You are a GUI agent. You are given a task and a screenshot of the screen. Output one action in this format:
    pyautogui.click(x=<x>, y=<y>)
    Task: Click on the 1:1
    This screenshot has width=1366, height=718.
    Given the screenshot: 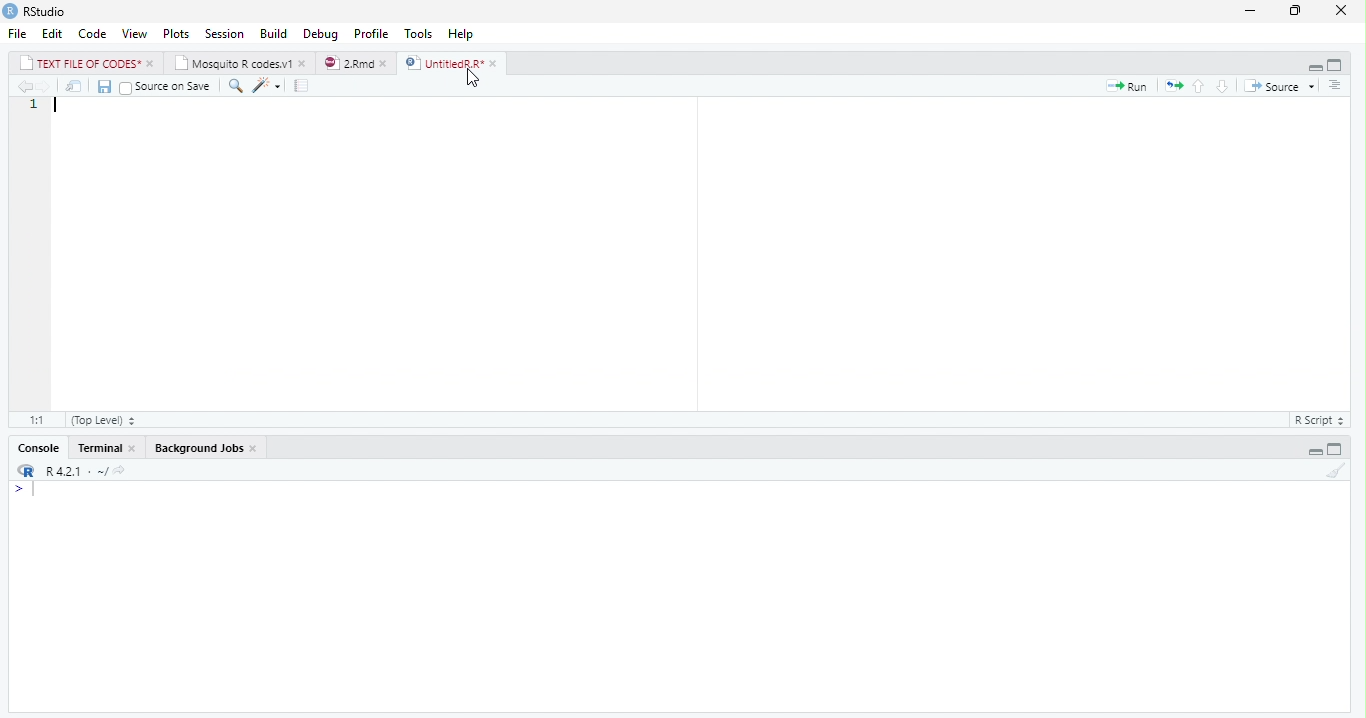 What is the action you would take?
    pyautogui.click(x=35, y=420)
    